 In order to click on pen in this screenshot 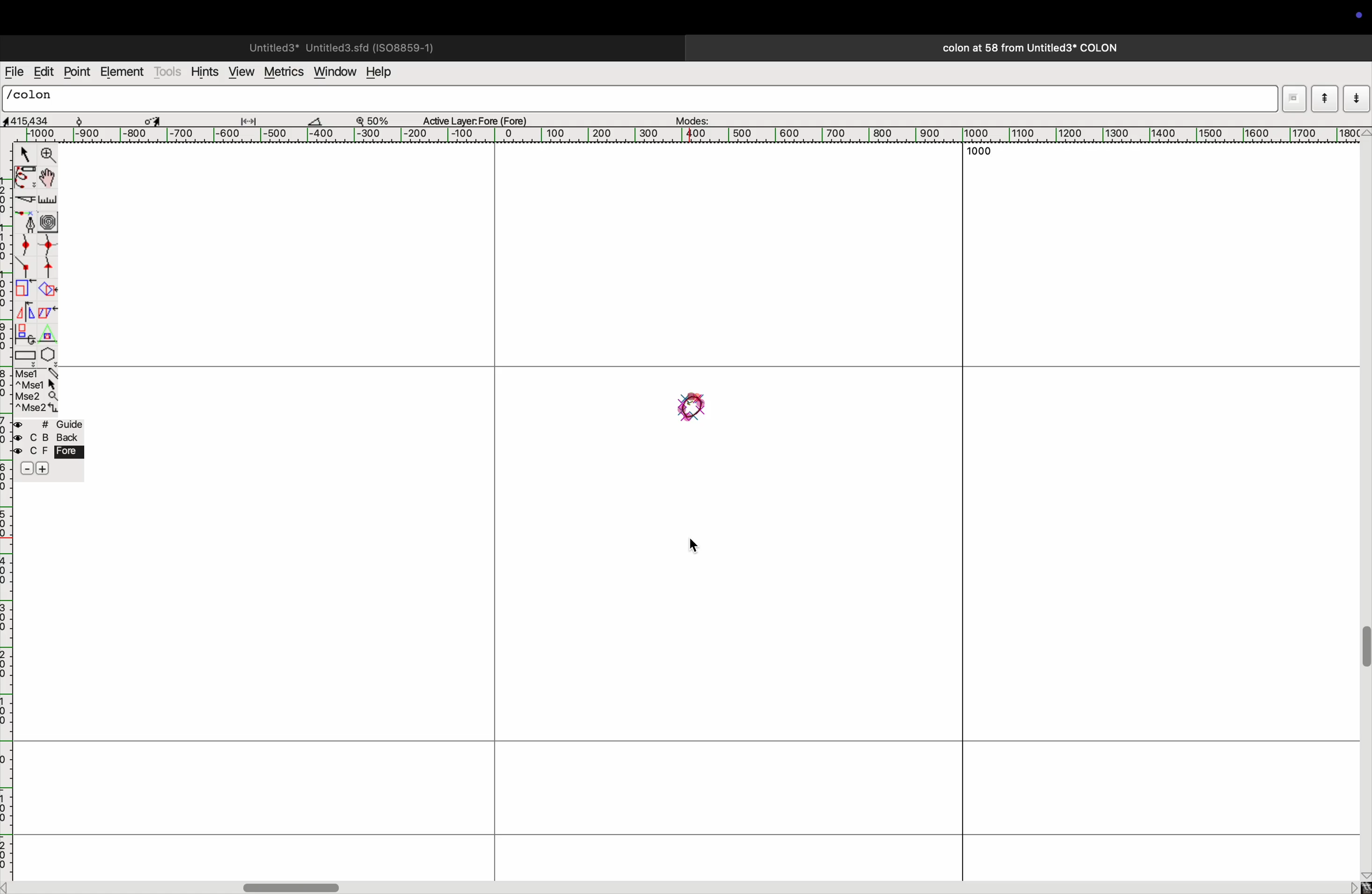, I will do `click(25, 179)`.